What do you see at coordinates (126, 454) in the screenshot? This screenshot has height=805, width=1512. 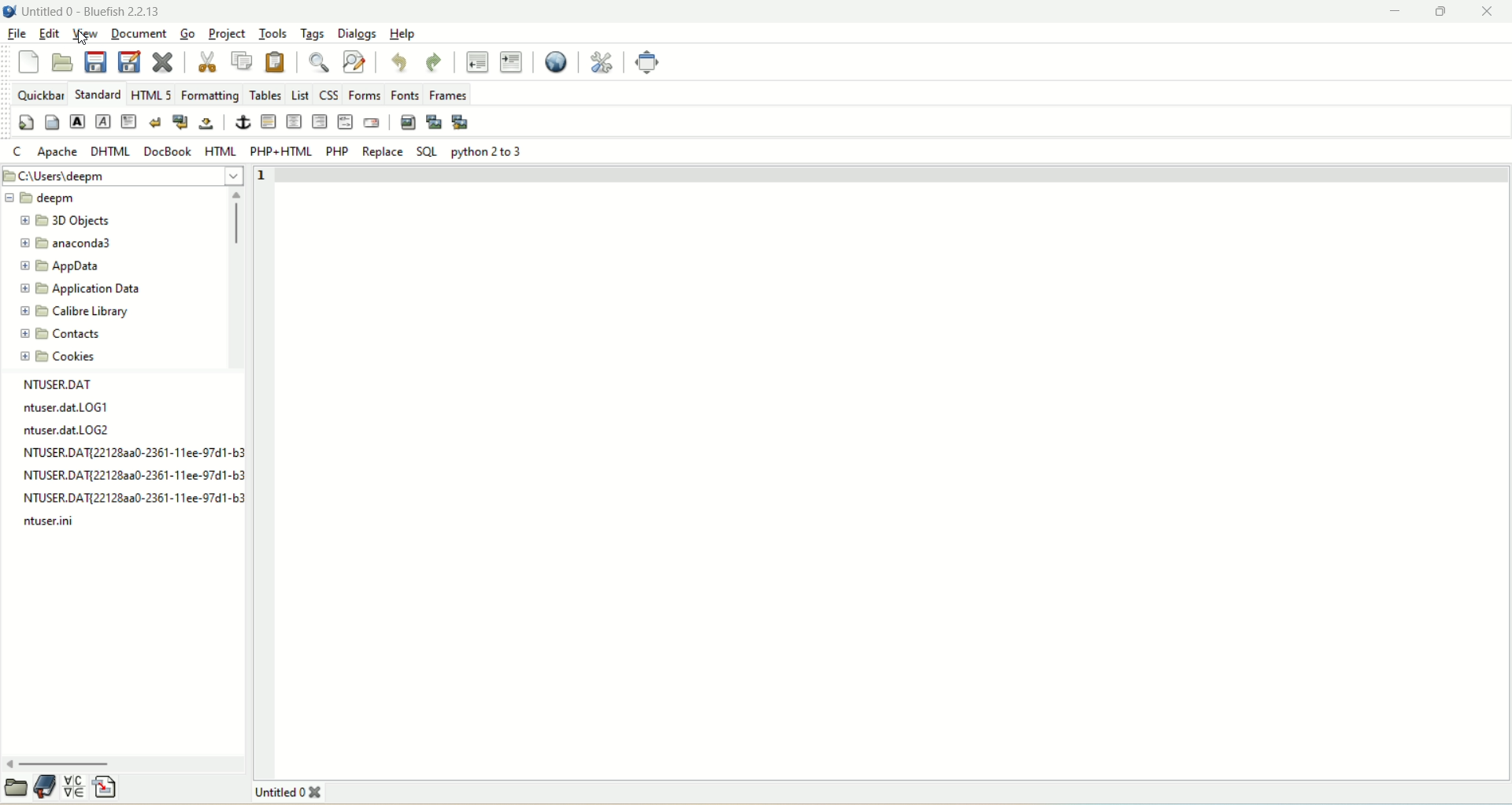 I see `text` at bounding box center [126, 454].